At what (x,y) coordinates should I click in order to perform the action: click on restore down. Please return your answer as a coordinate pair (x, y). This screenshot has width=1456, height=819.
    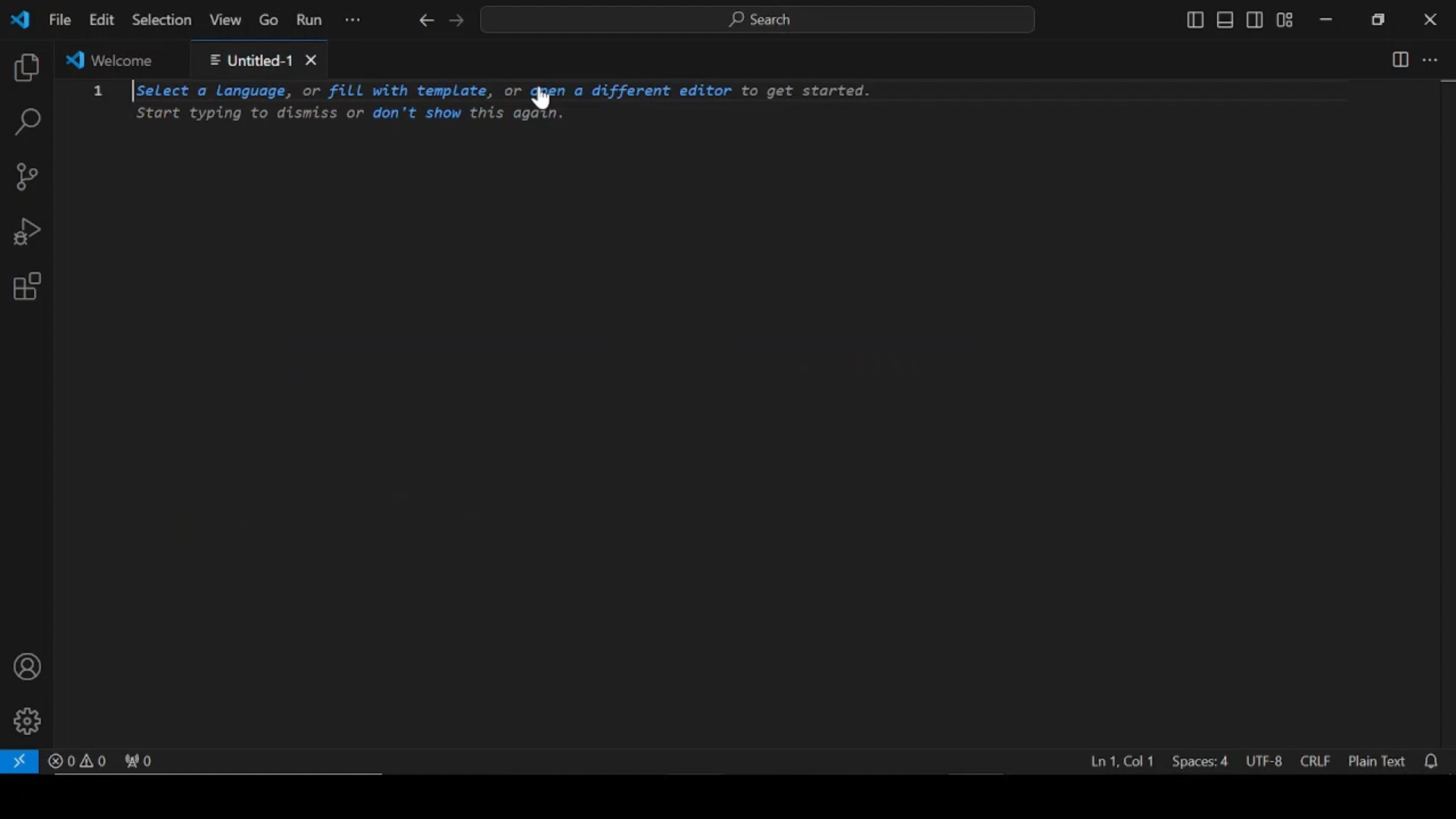
    Looking at the image, I should click on (1378, 19).